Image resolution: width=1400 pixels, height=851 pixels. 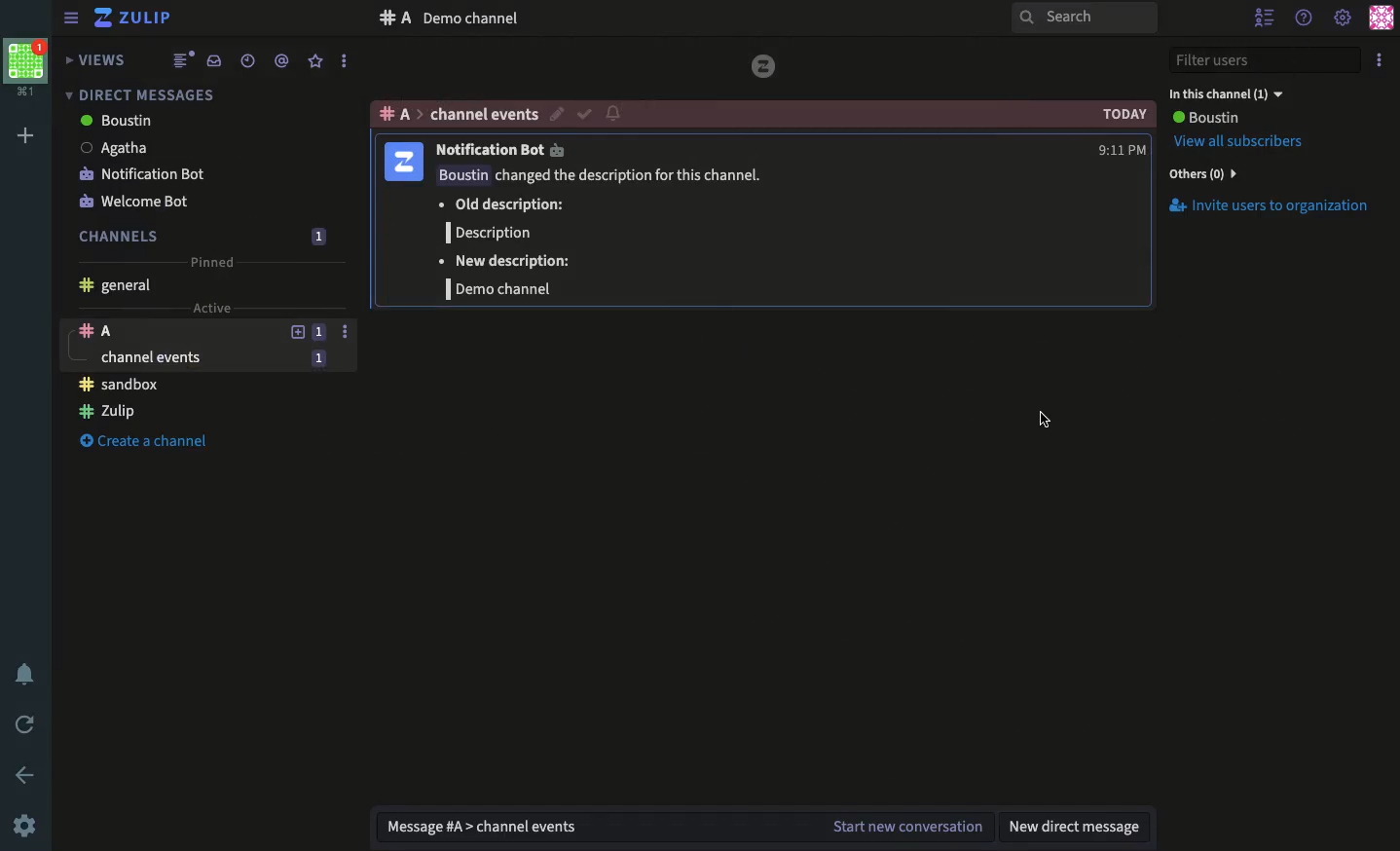 I want to click on others, so click(x=1205, y=174).